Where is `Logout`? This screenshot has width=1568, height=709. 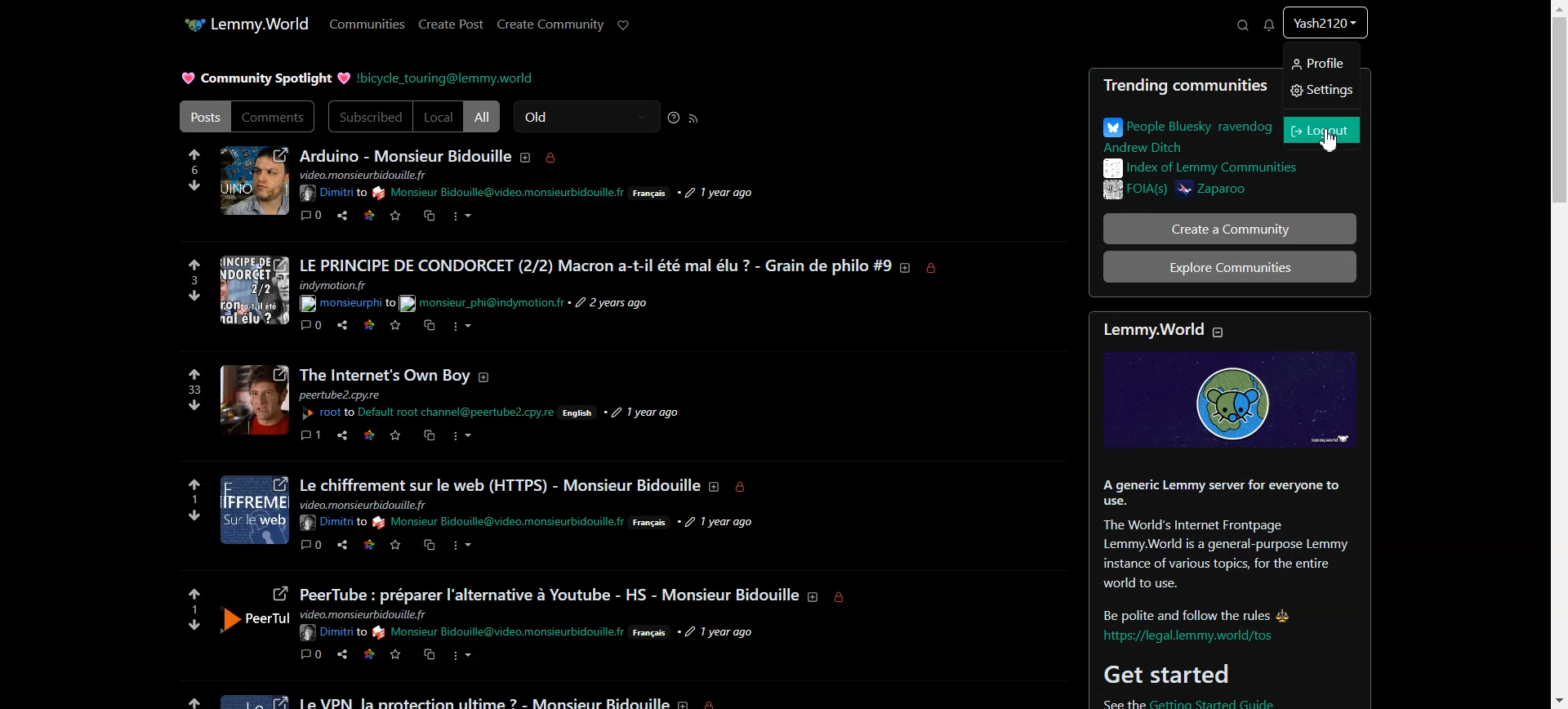
Logout is located at coordinates (1323, 131).